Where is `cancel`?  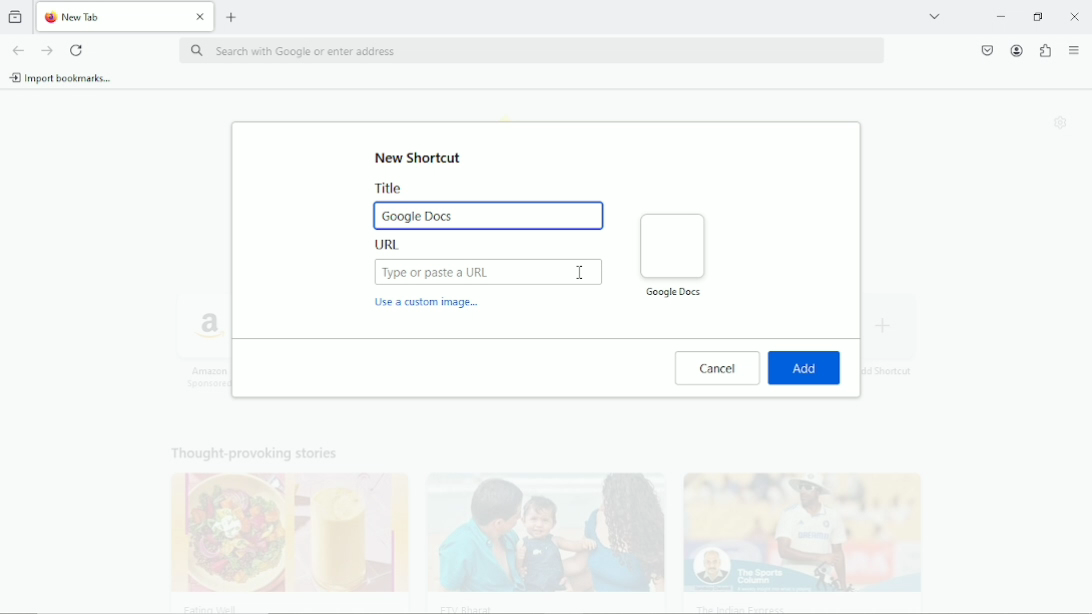 cancel is located at coordinates (717, 368).